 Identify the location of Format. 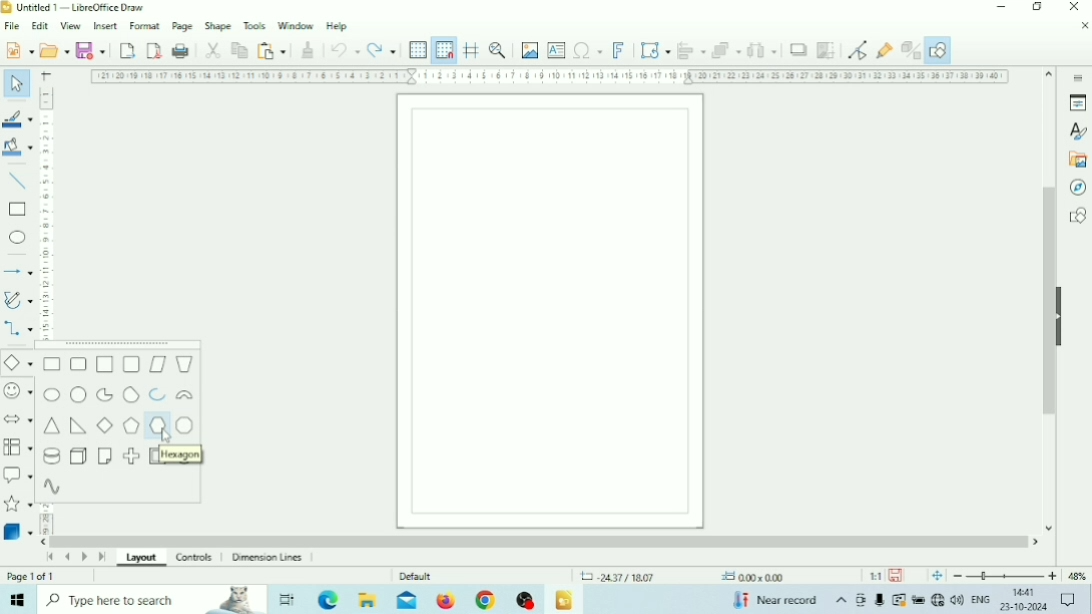
(146, 25).